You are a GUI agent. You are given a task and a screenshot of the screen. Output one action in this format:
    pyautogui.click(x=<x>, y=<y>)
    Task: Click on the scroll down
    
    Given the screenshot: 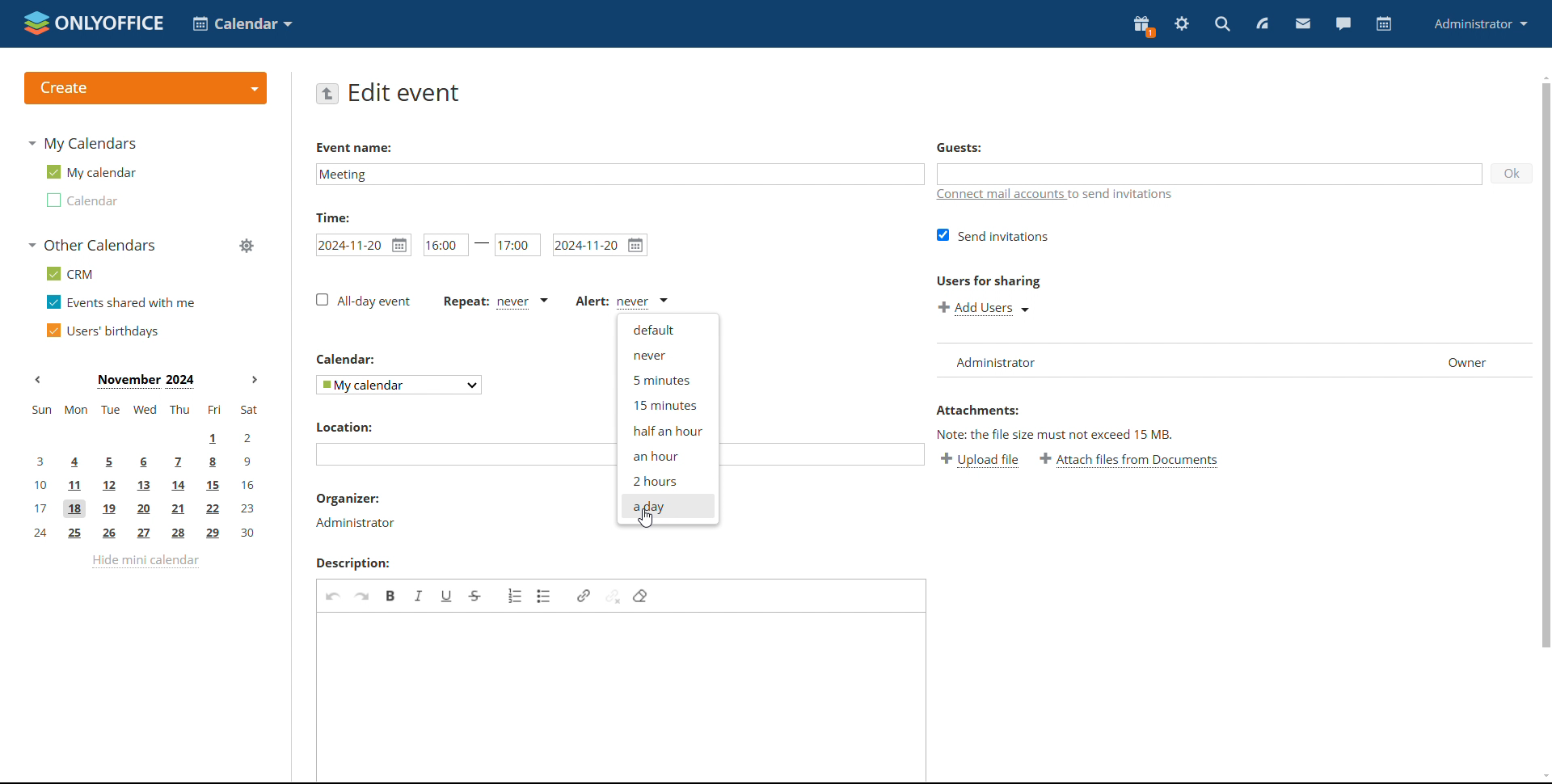 What is the action you would take?
    pyautogui.click(x=1542, y=778)
    